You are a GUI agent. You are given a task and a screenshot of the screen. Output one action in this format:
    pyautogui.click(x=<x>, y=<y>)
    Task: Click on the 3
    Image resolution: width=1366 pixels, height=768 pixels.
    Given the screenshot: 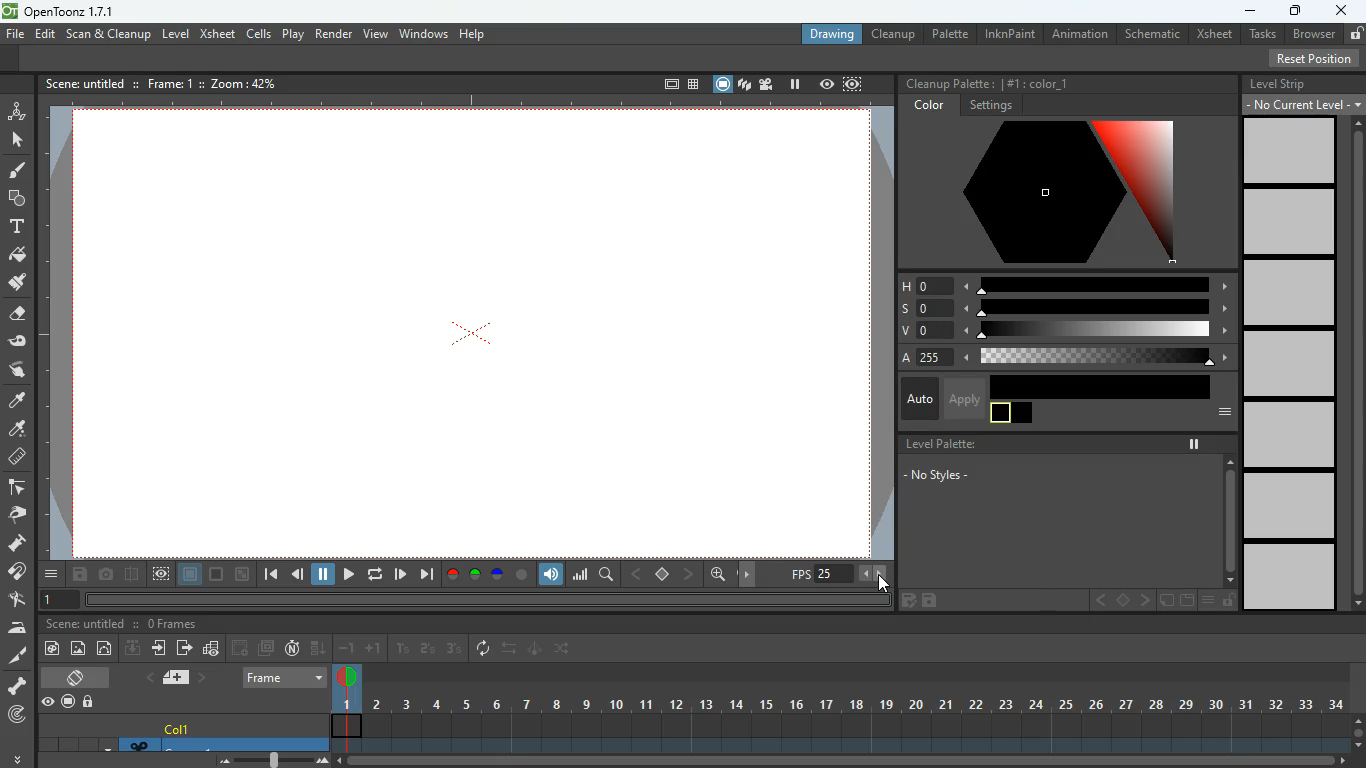 What is the action you would take?
    pyautogui.click(x=453, y=649)
    